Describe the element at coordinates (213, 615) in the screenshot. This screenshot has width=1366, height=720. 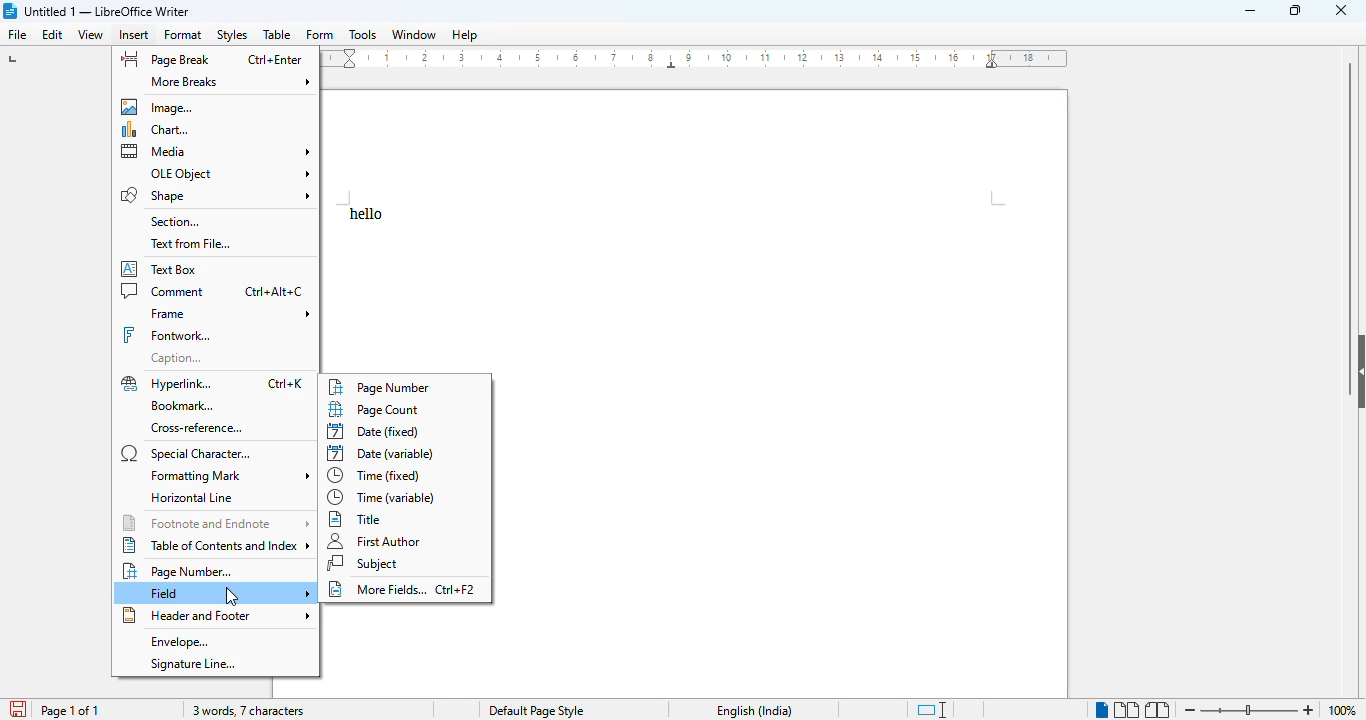
I see `header and footer` at that location.